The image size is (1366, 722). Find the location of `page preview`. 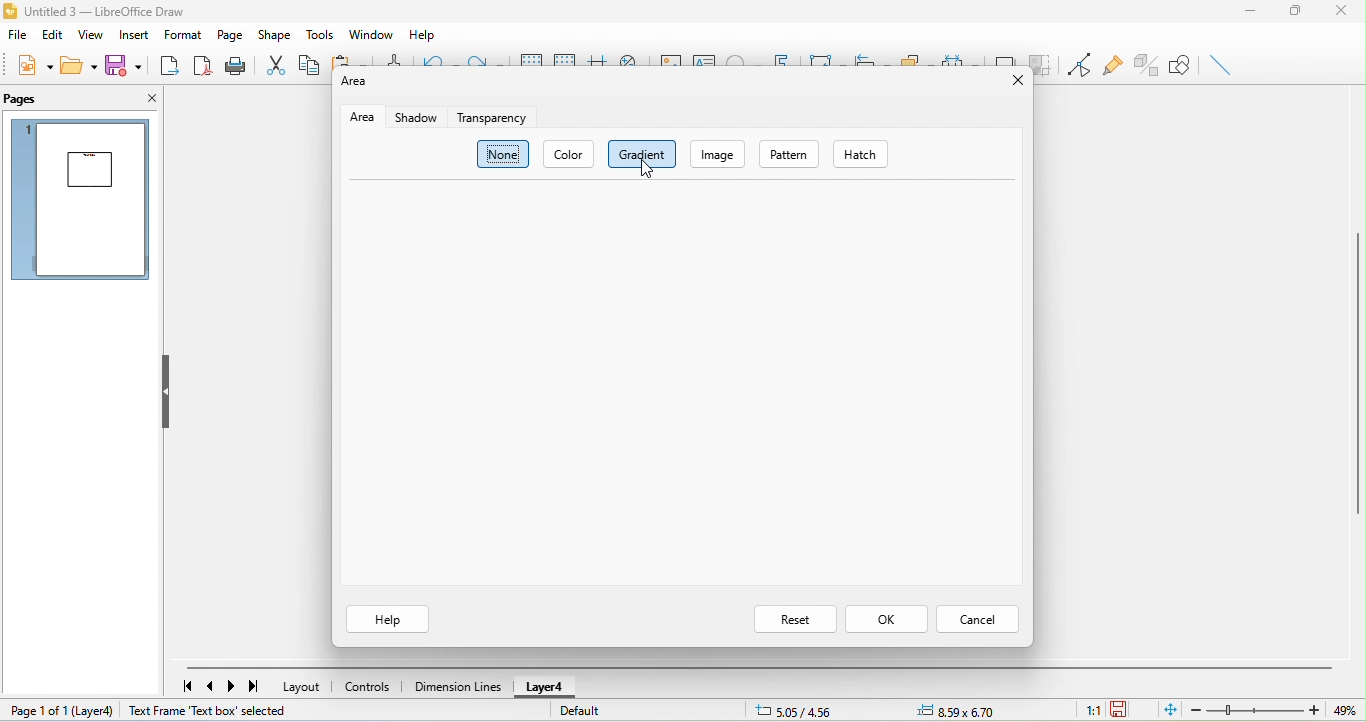

page preview is located at coordinates (78, 201).